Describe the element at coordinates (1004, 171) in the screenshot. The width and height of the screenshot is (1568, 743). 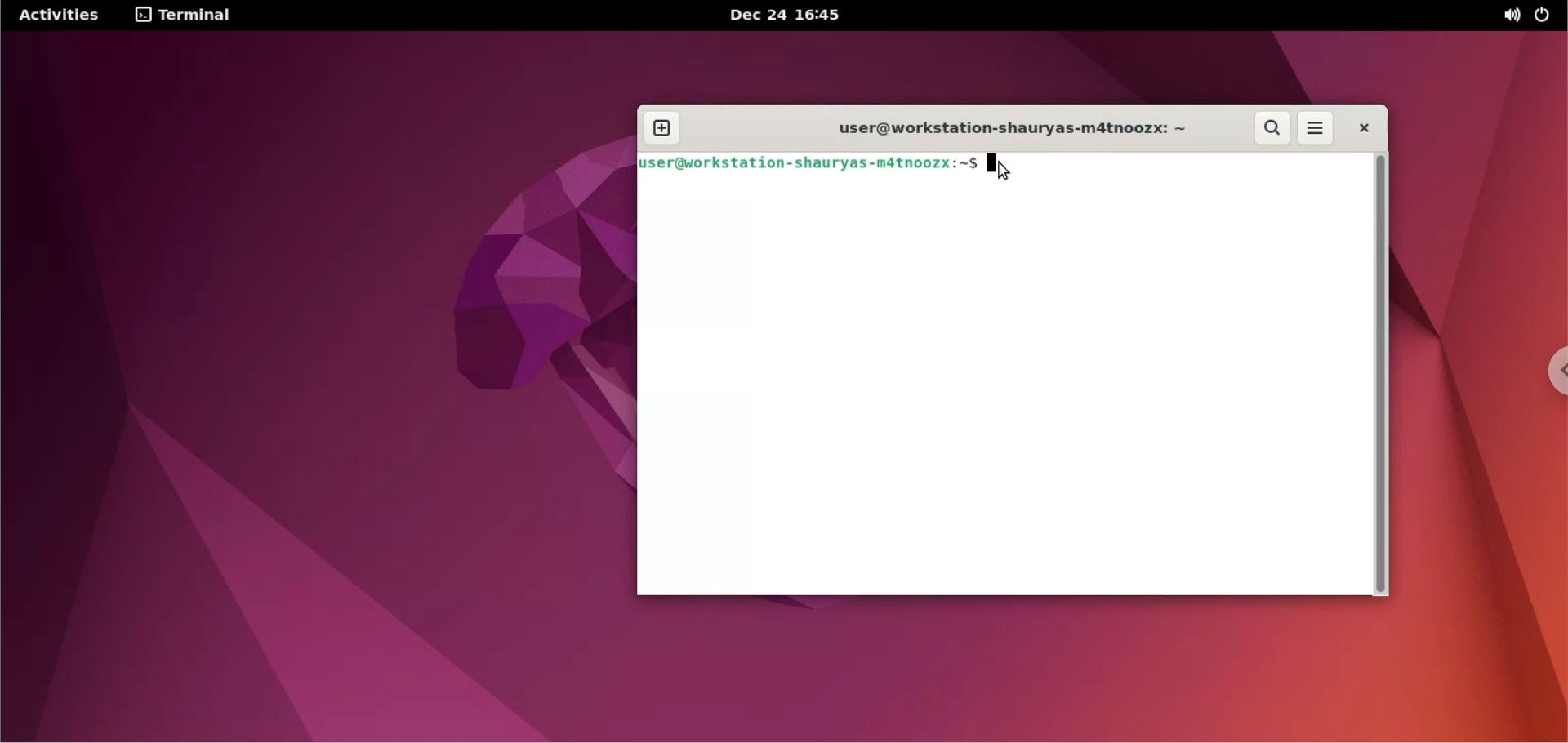
I see `cursor` at that location.